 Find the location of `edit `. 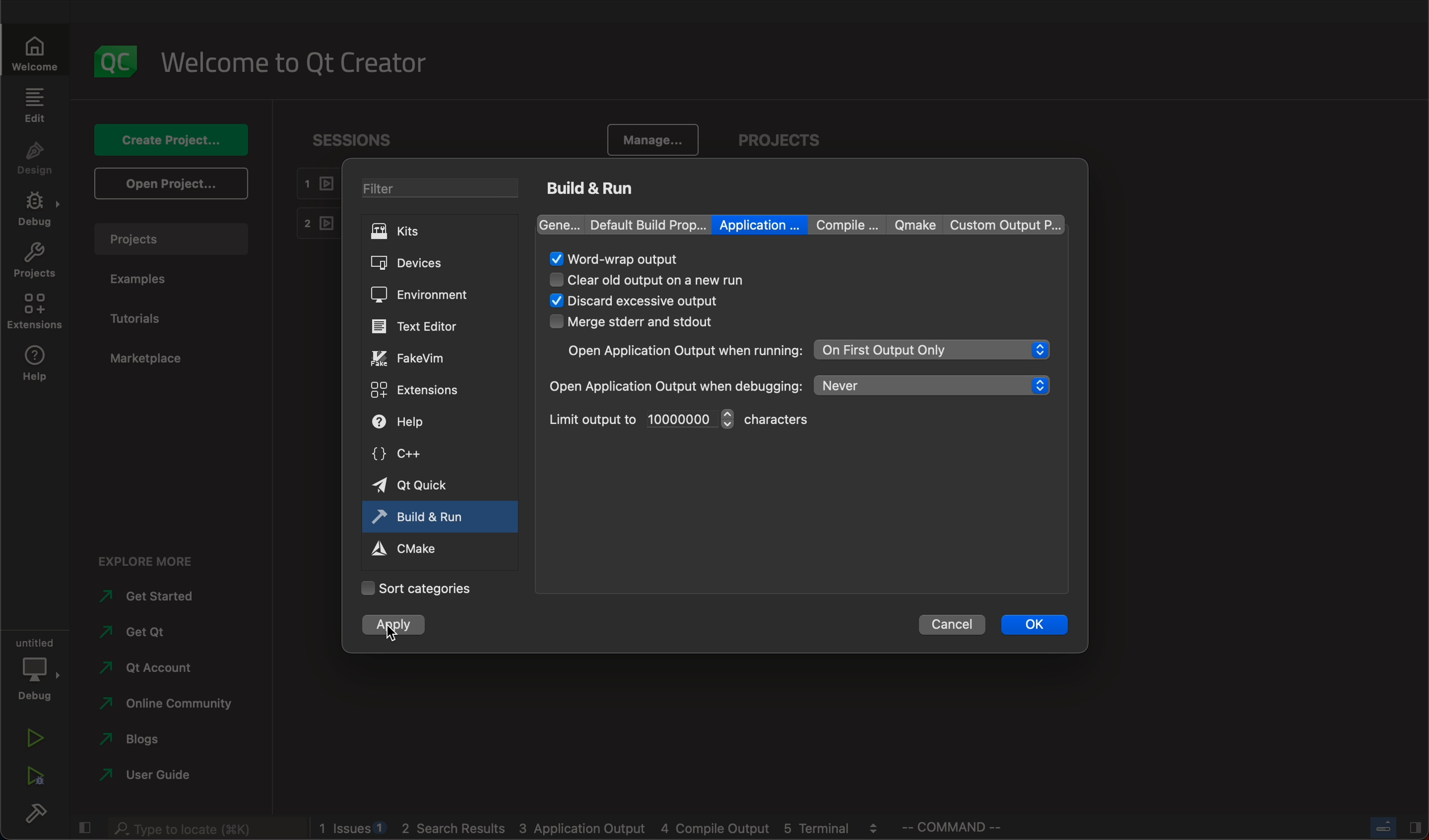

edit  is located at coordinates (36, 104).